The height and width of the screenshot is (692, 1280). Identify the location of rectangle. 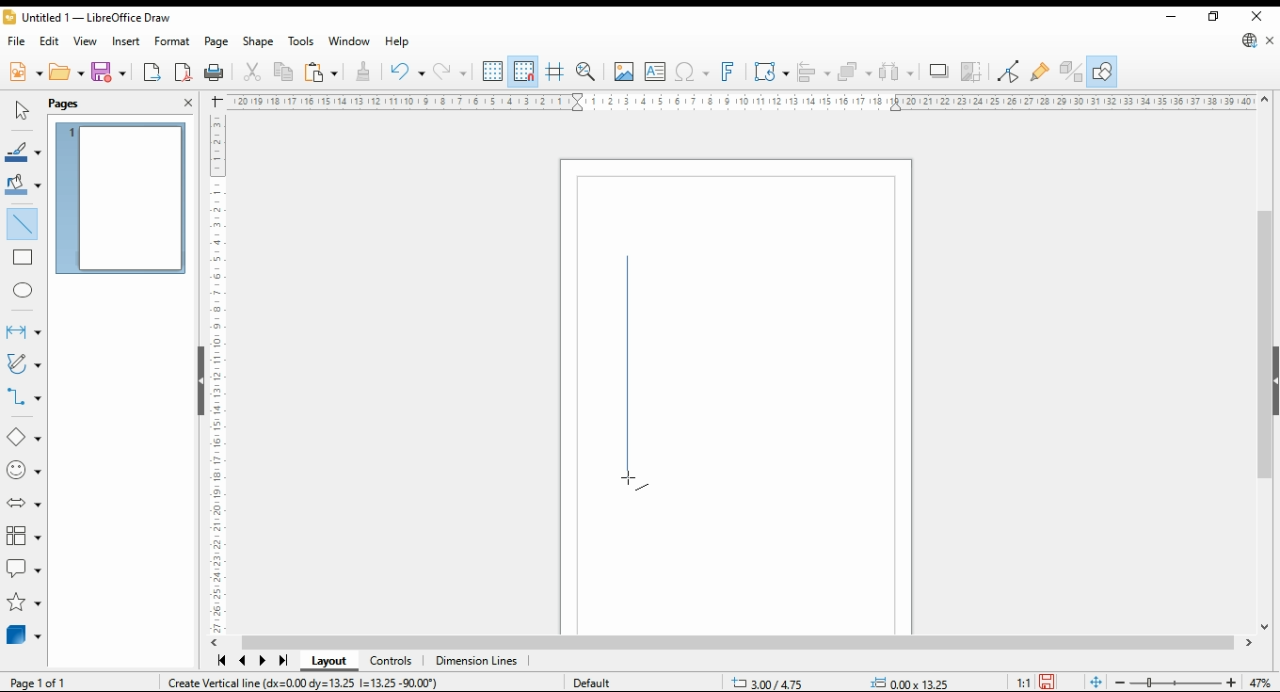
(23, 259).